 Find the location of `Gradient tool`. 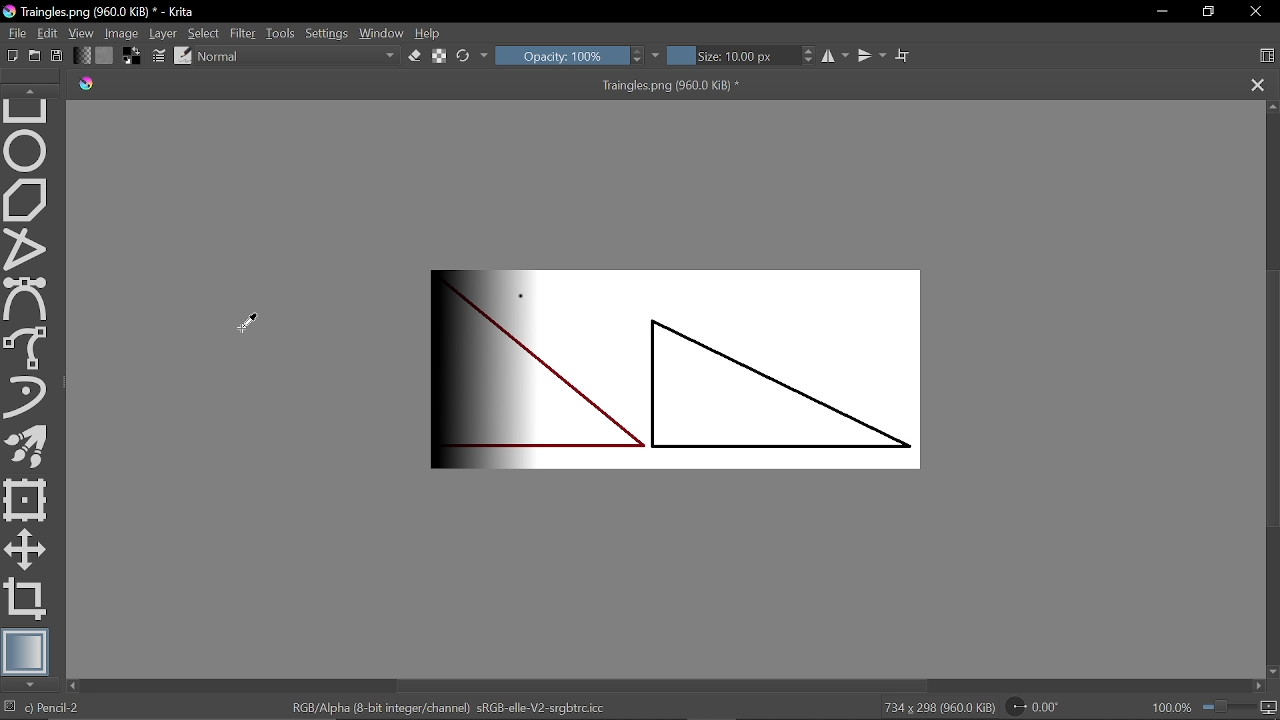

Gradient tool is located at coordinates (26, 651).